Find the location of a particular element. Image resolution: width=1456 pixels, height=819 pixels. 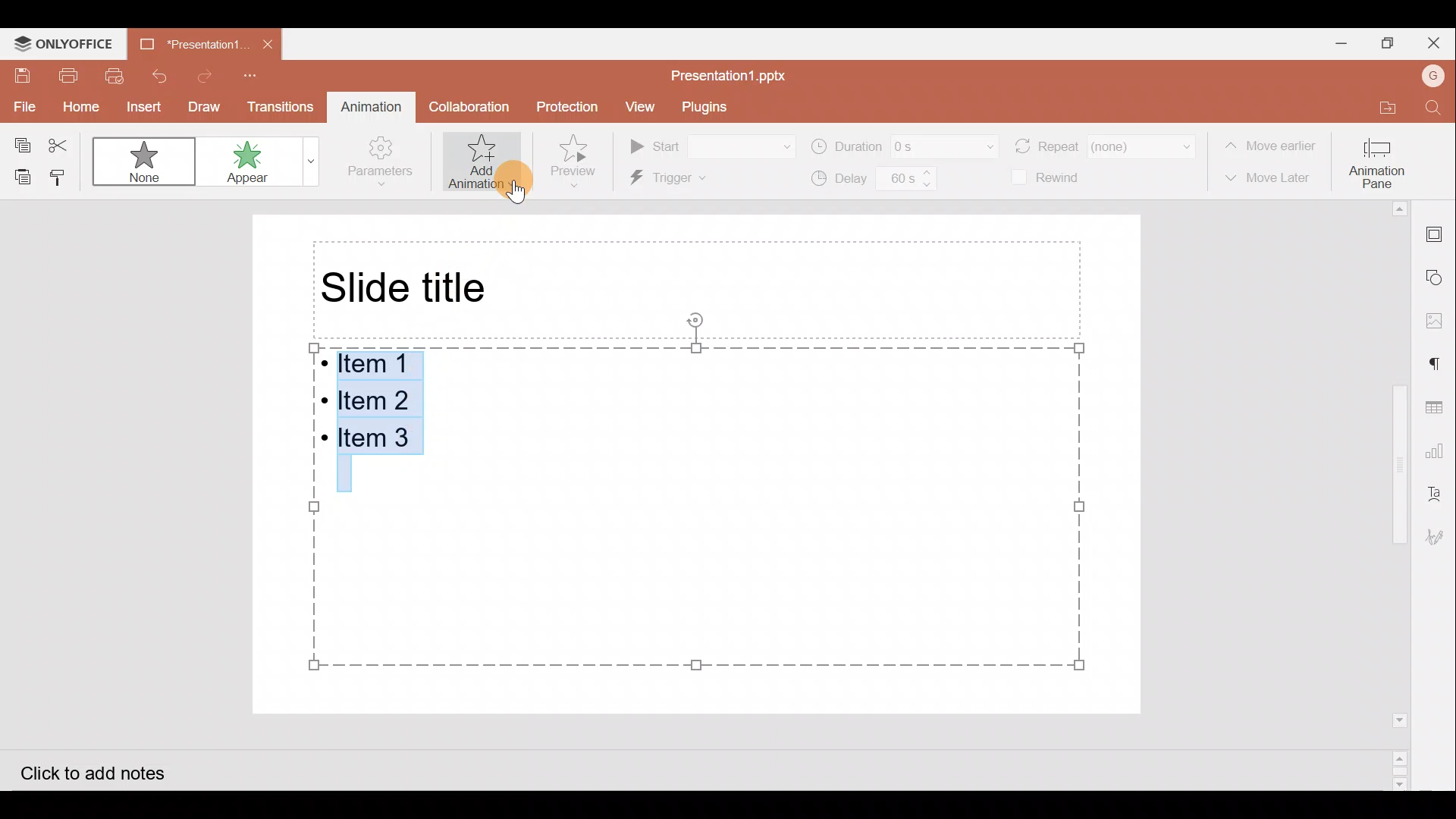

Presentation slide is located at coordinates (806, 454).